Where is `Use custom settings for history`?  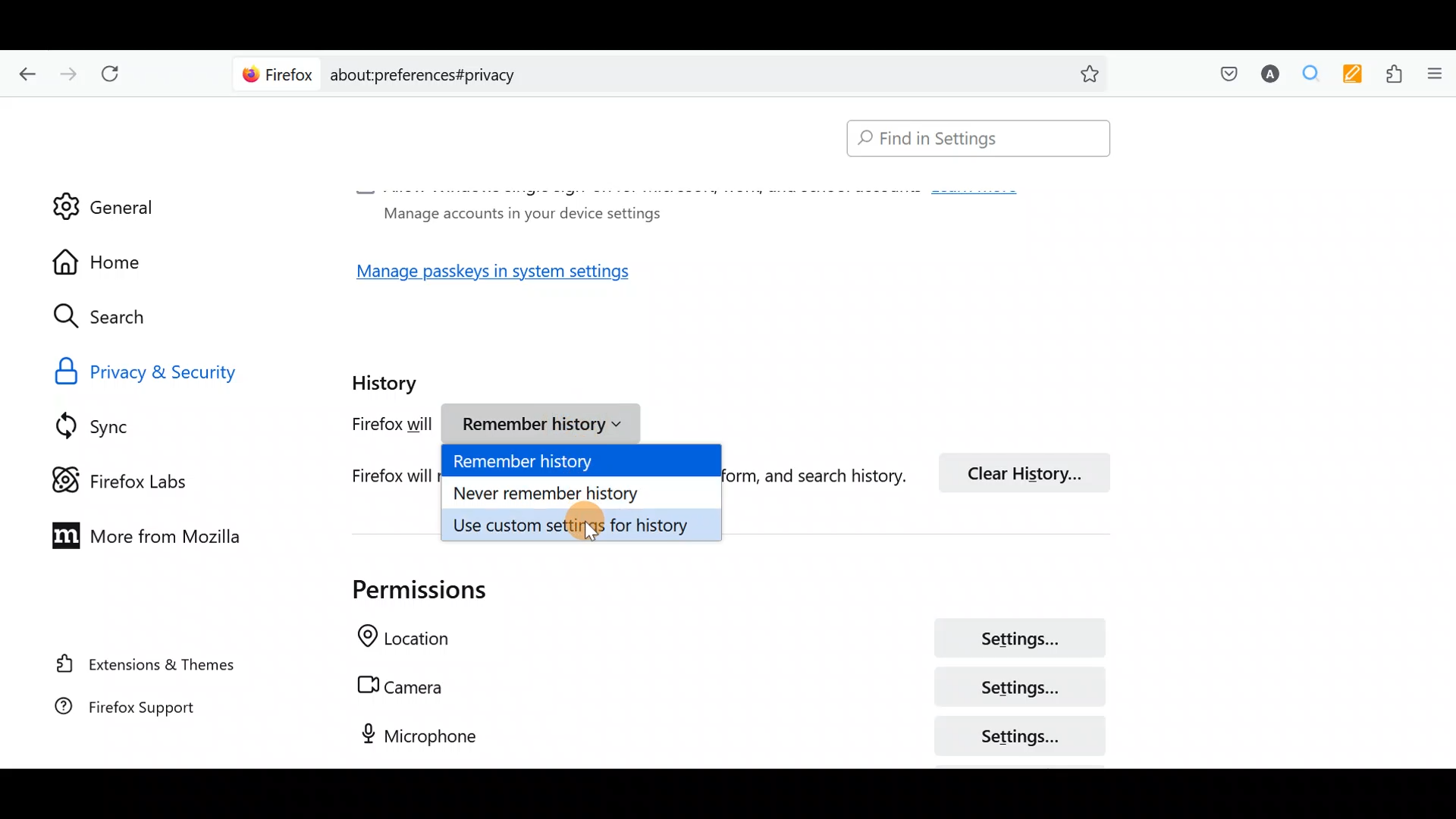
Use custom settings for history is located at coordinates (583, 523).